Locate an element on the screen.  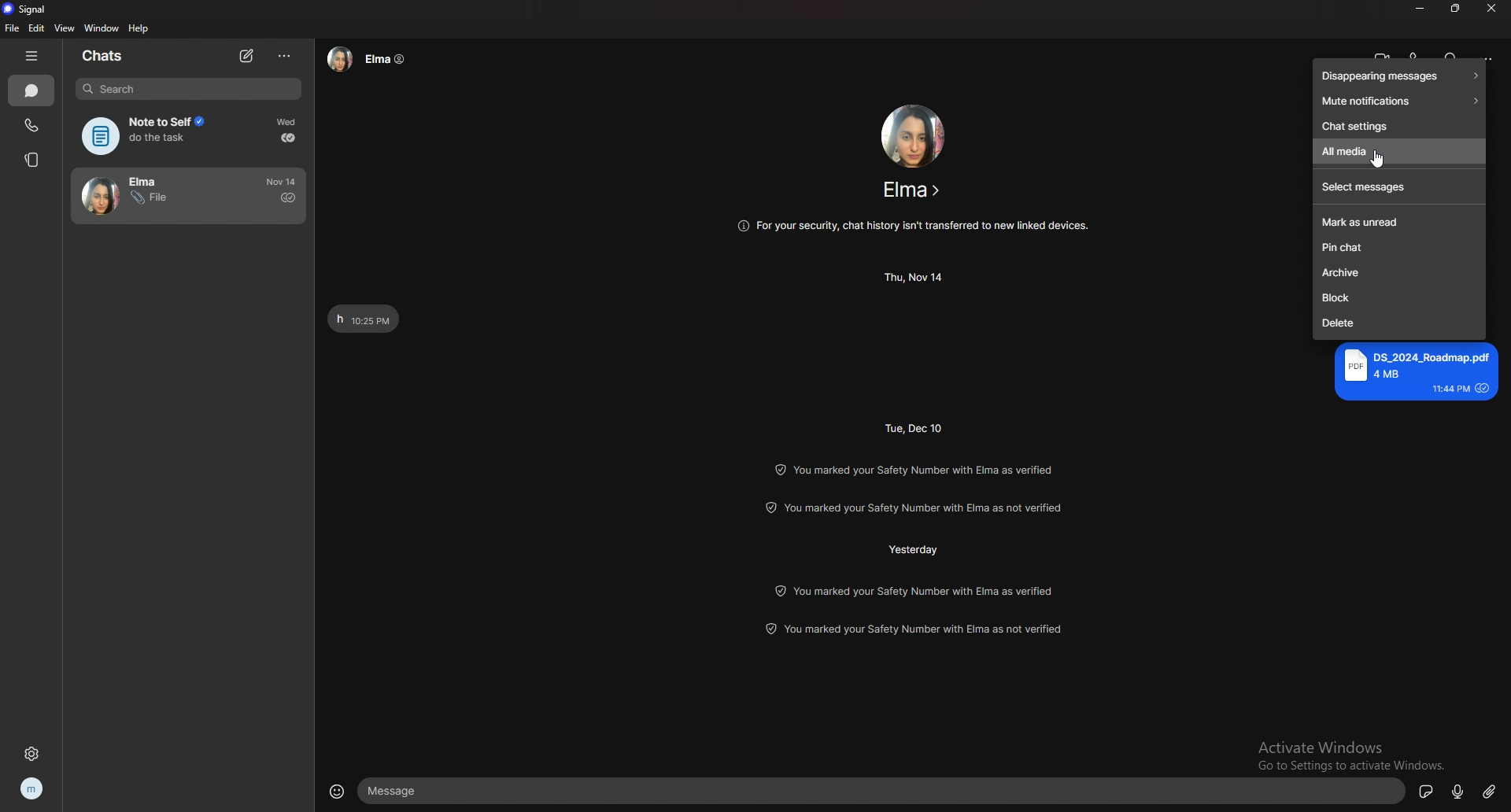
time is located at coordinates (283, 181).